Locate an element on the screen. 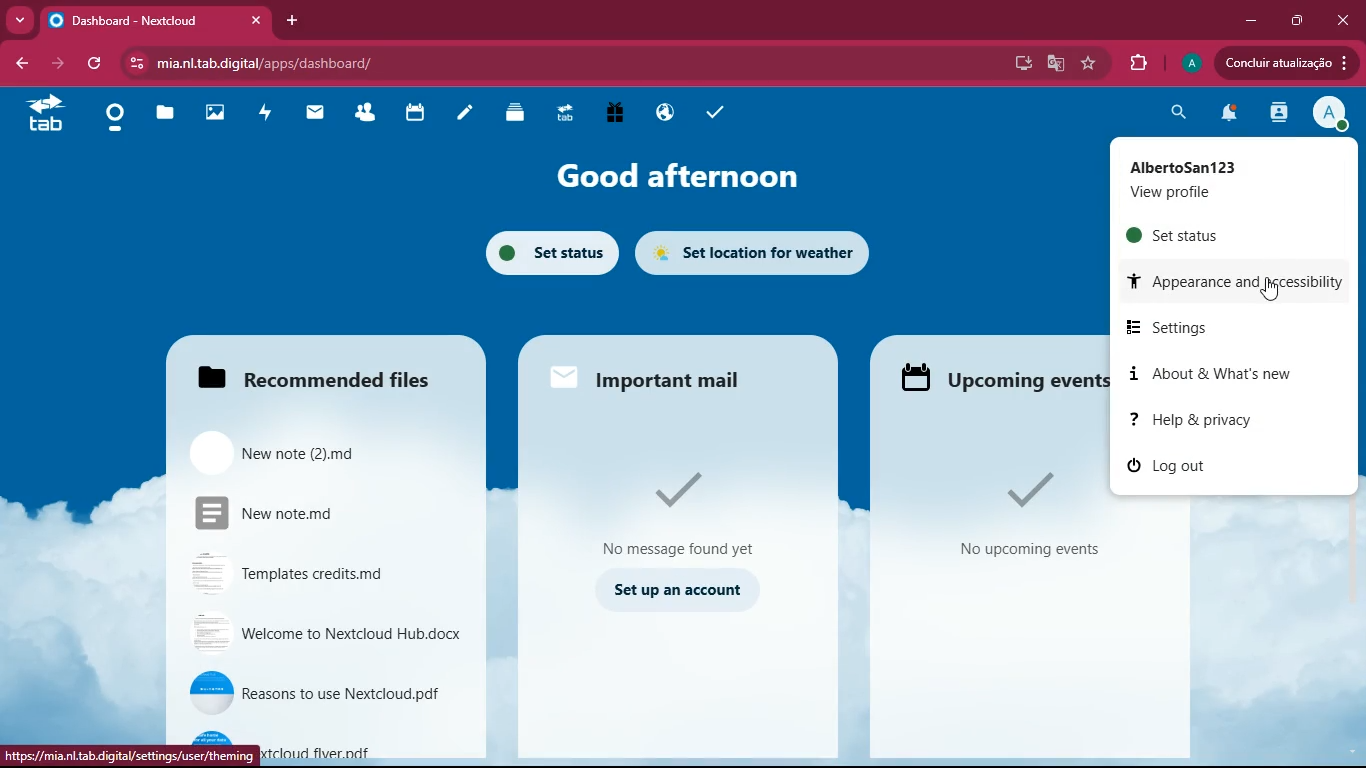 The image size is (1366, 768). notes is located at coordinates (462, 117).